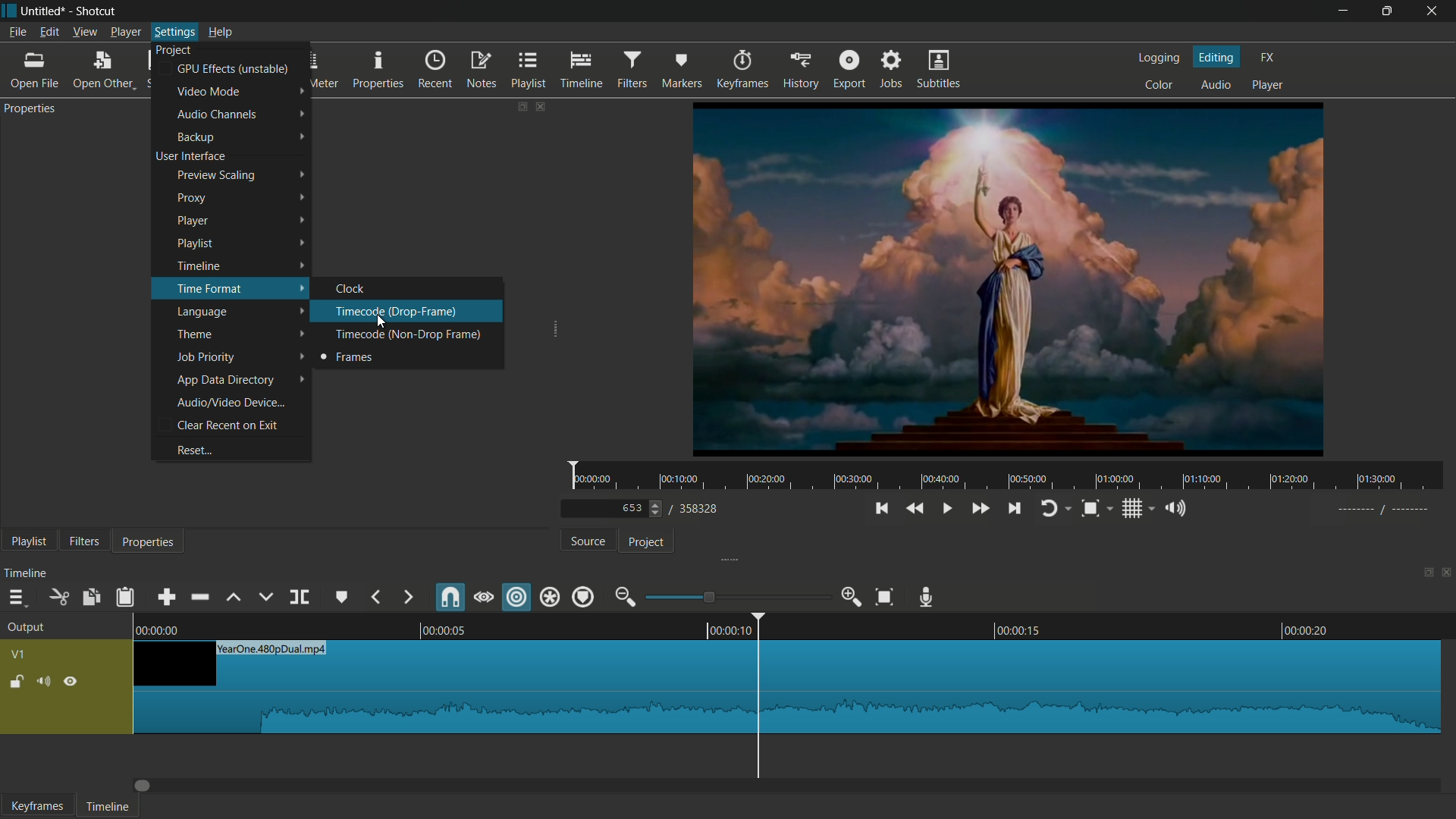 The width and height of the screenshot is (1456, 819). Describe the element at coordinates (736, 596) in the screenshot. I see `adjustment bar` at that location.